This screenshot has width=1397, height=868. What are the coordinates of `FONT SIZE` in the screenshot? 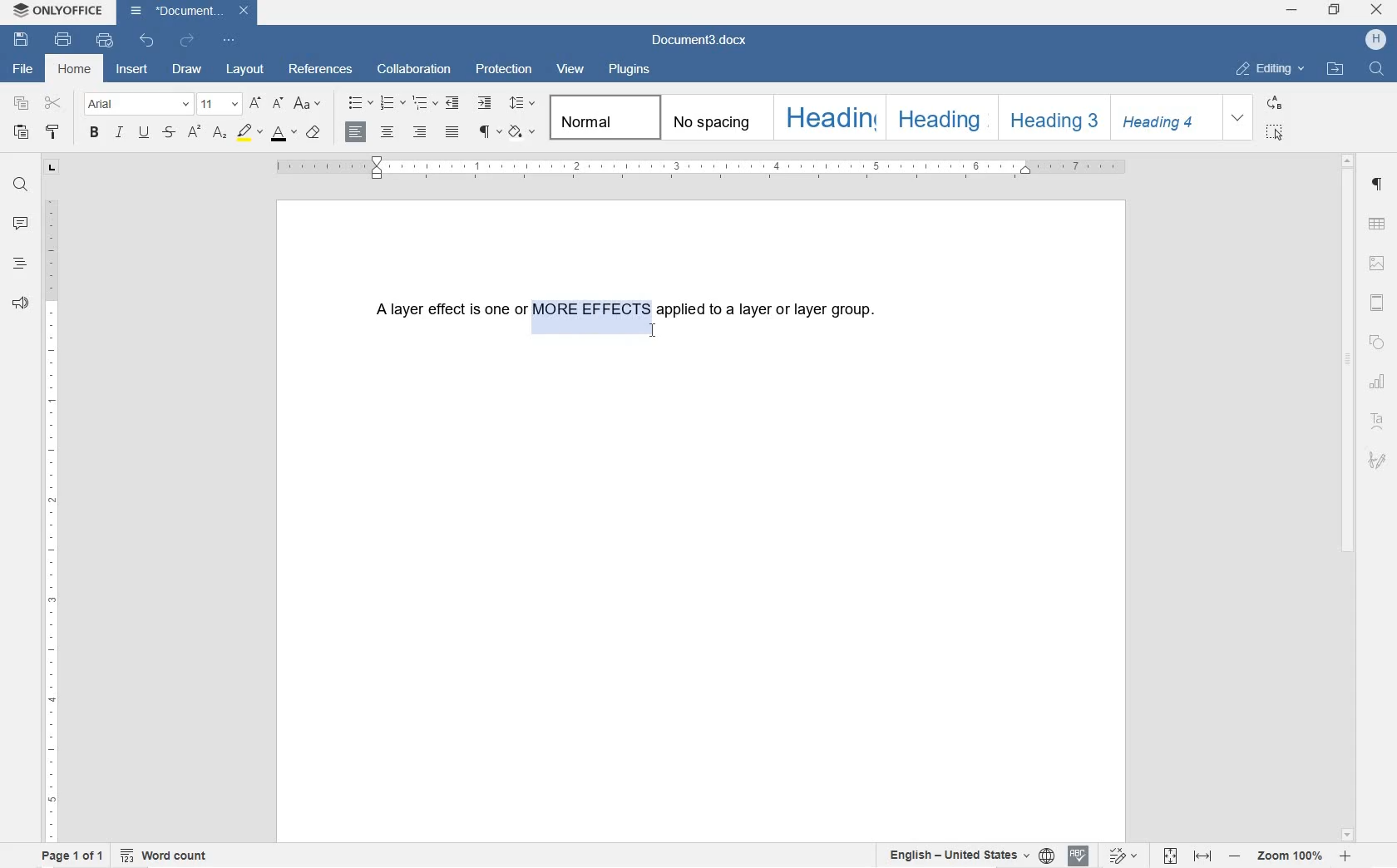 It's located at (219, 103).